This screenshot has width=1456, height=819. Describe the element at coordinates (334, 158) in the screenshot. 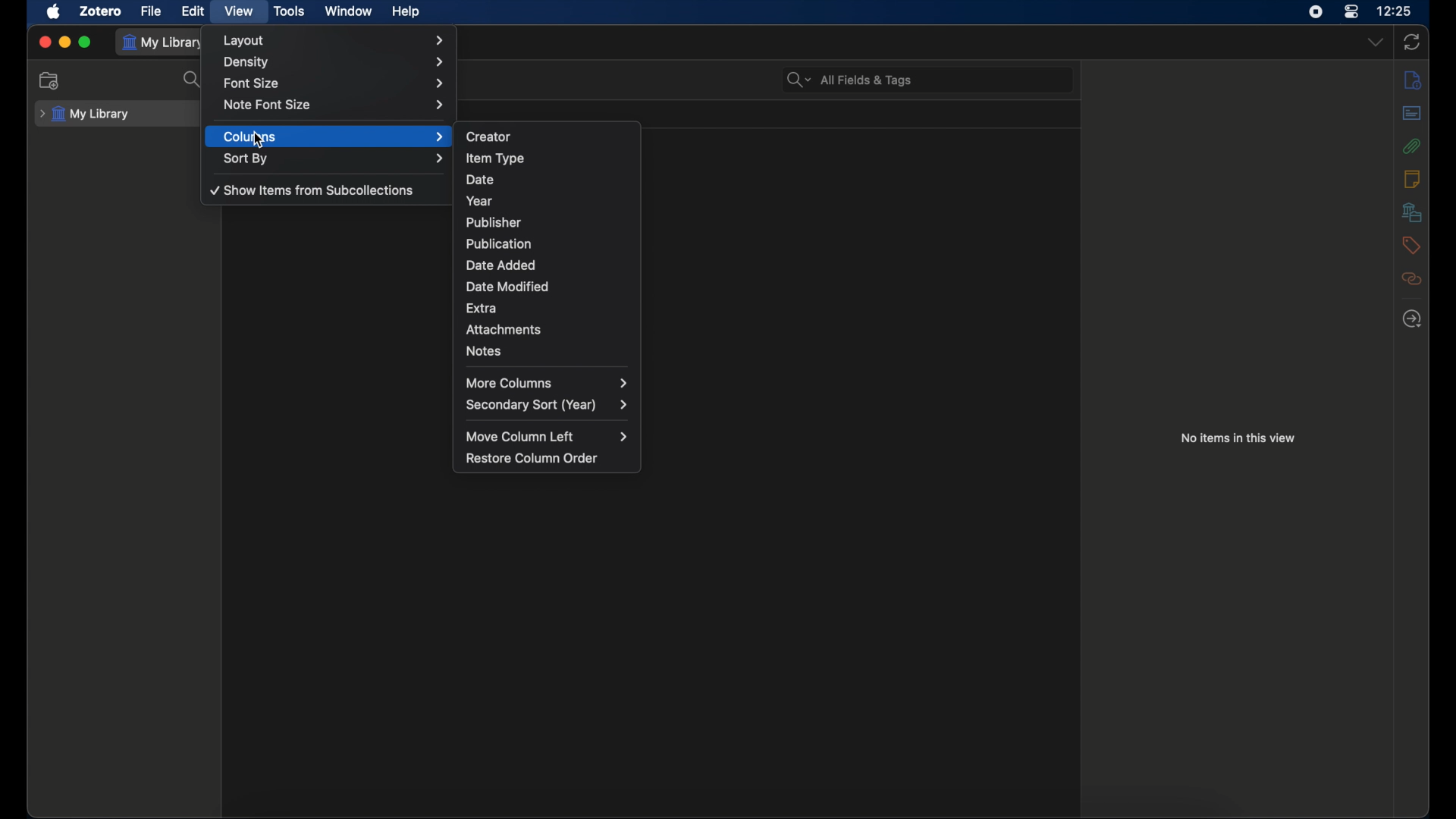

I see `sort by` at that location.